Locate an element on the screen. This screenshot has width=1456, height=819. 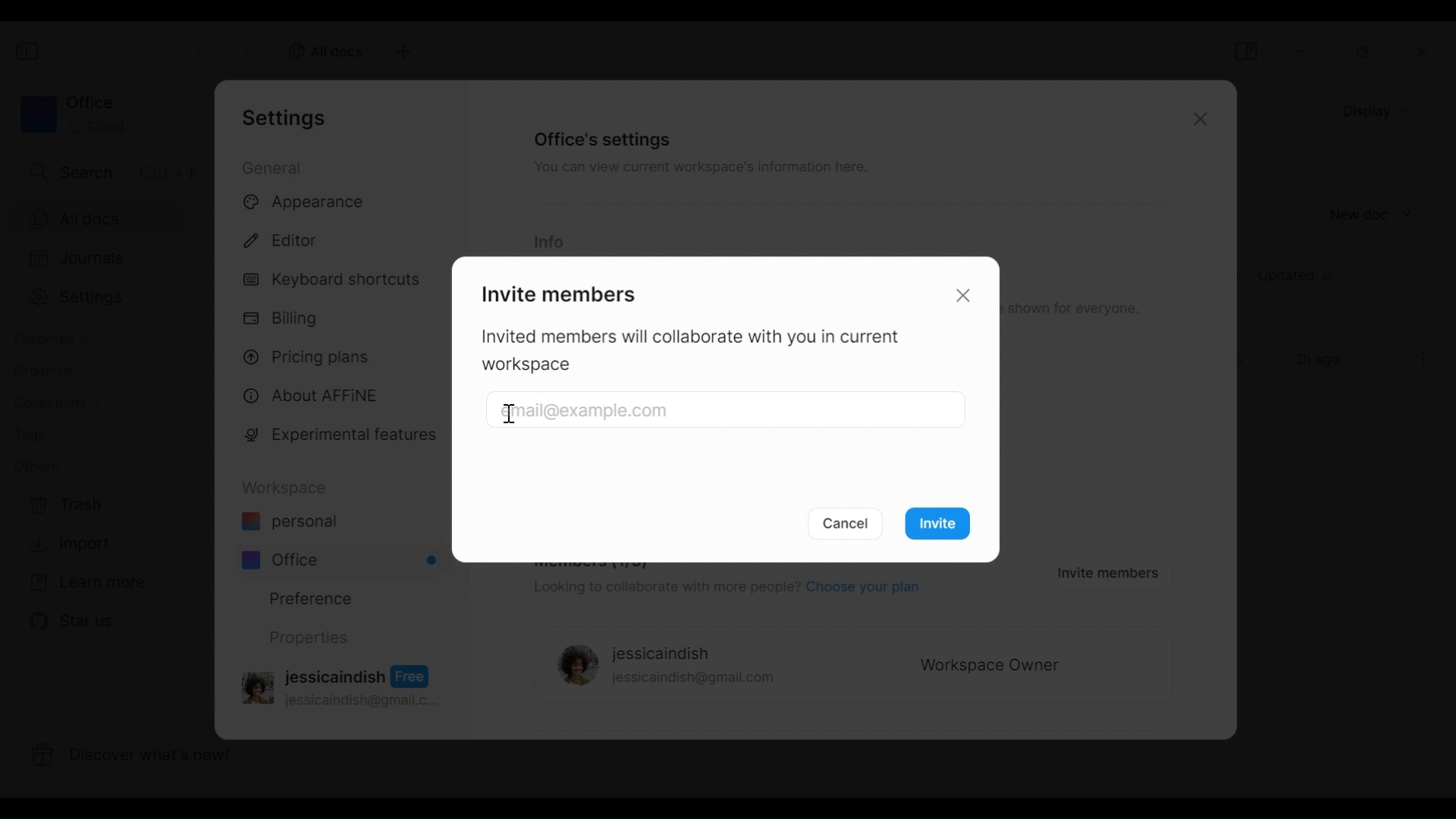
Display is located at coordinates (1380, 110).